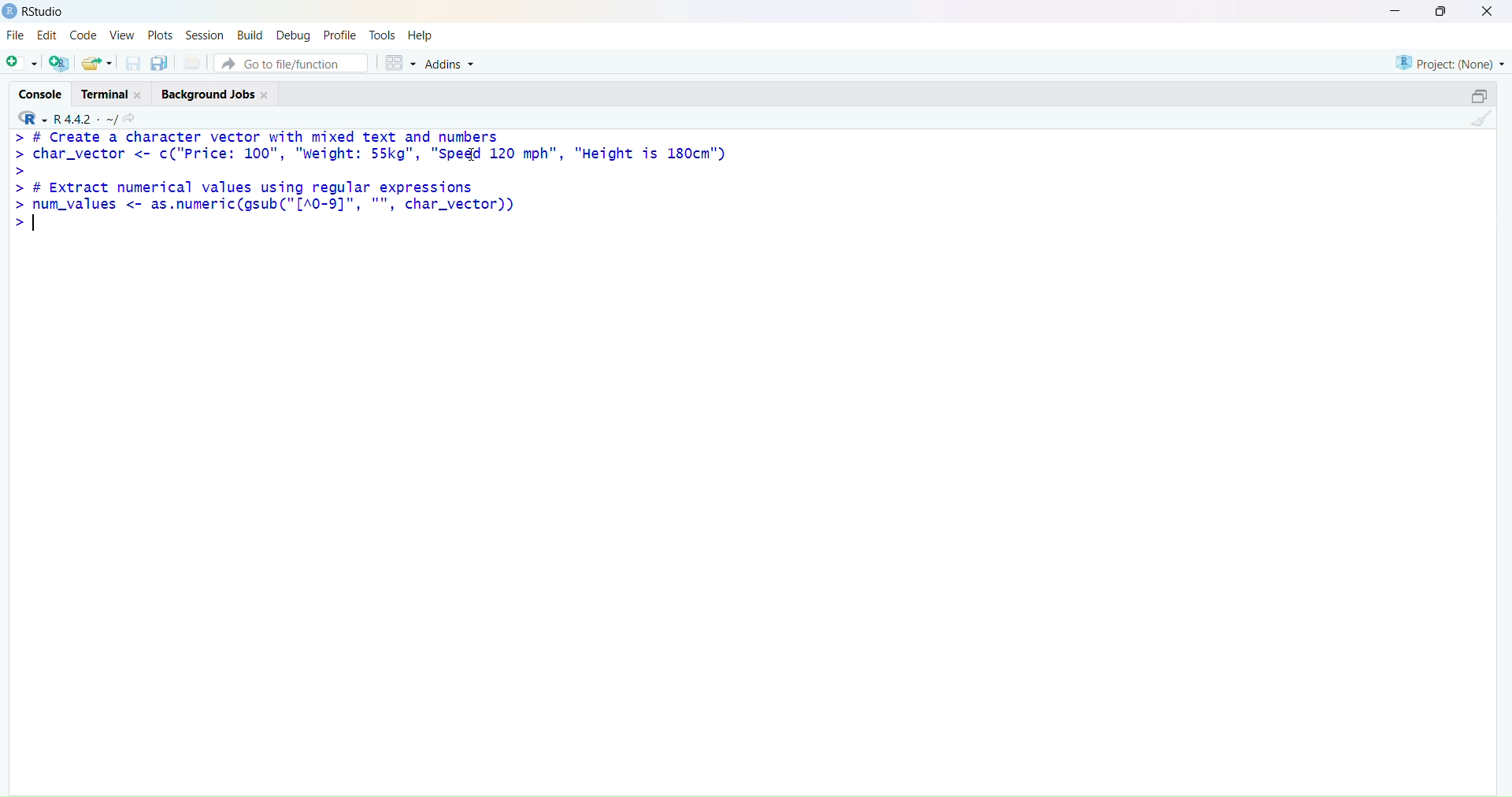 This screenshot has width=1512, height=797. Describe the element at coordinates (31, 118) in the screenshot. I see `R` at that location.